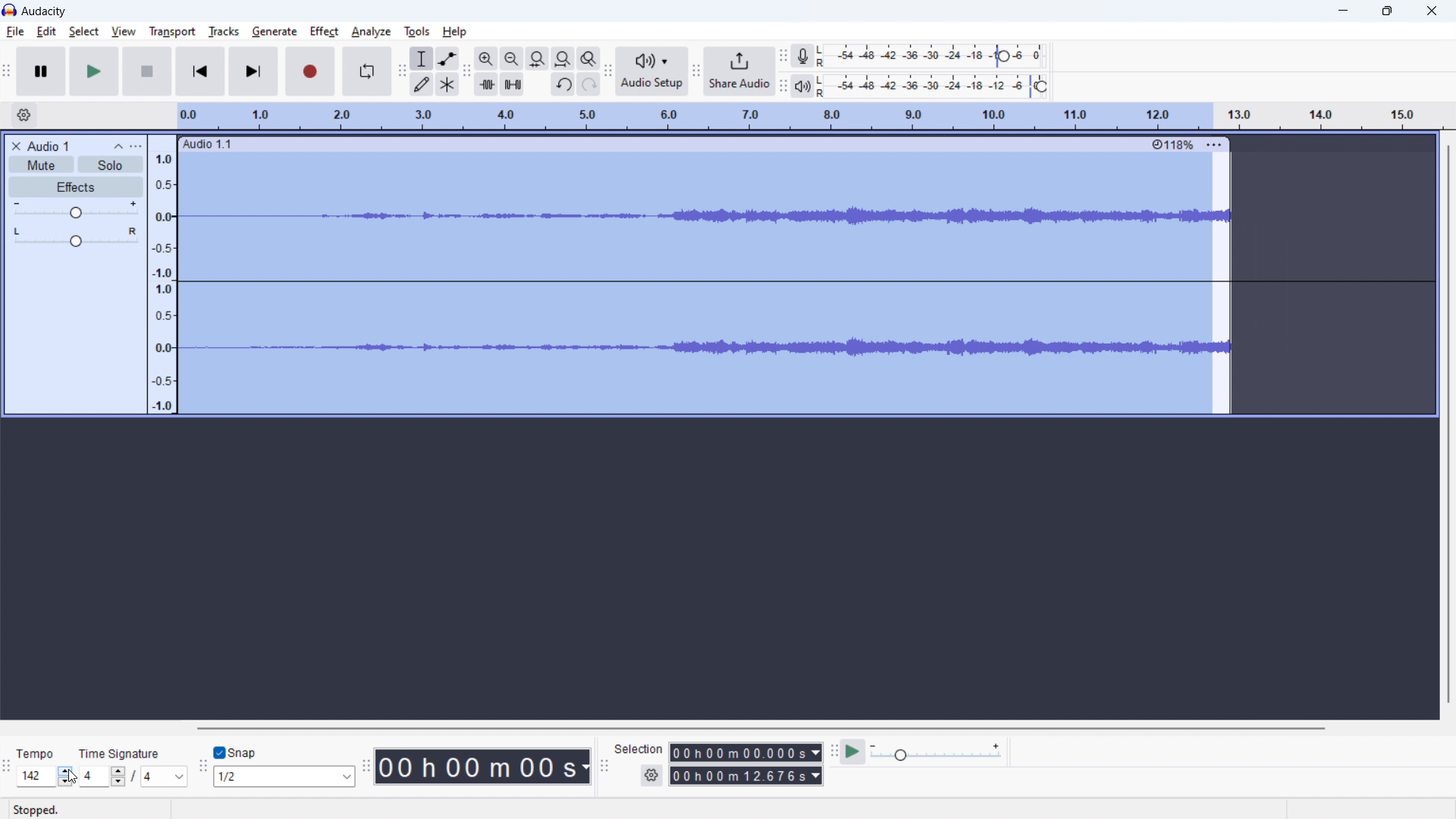 This screenshot has height=819, width=1456. What do you see at coordinates (767, 728) in the screenshot?
I see `horizontal scrollbar` at bounding box center [767, 728].